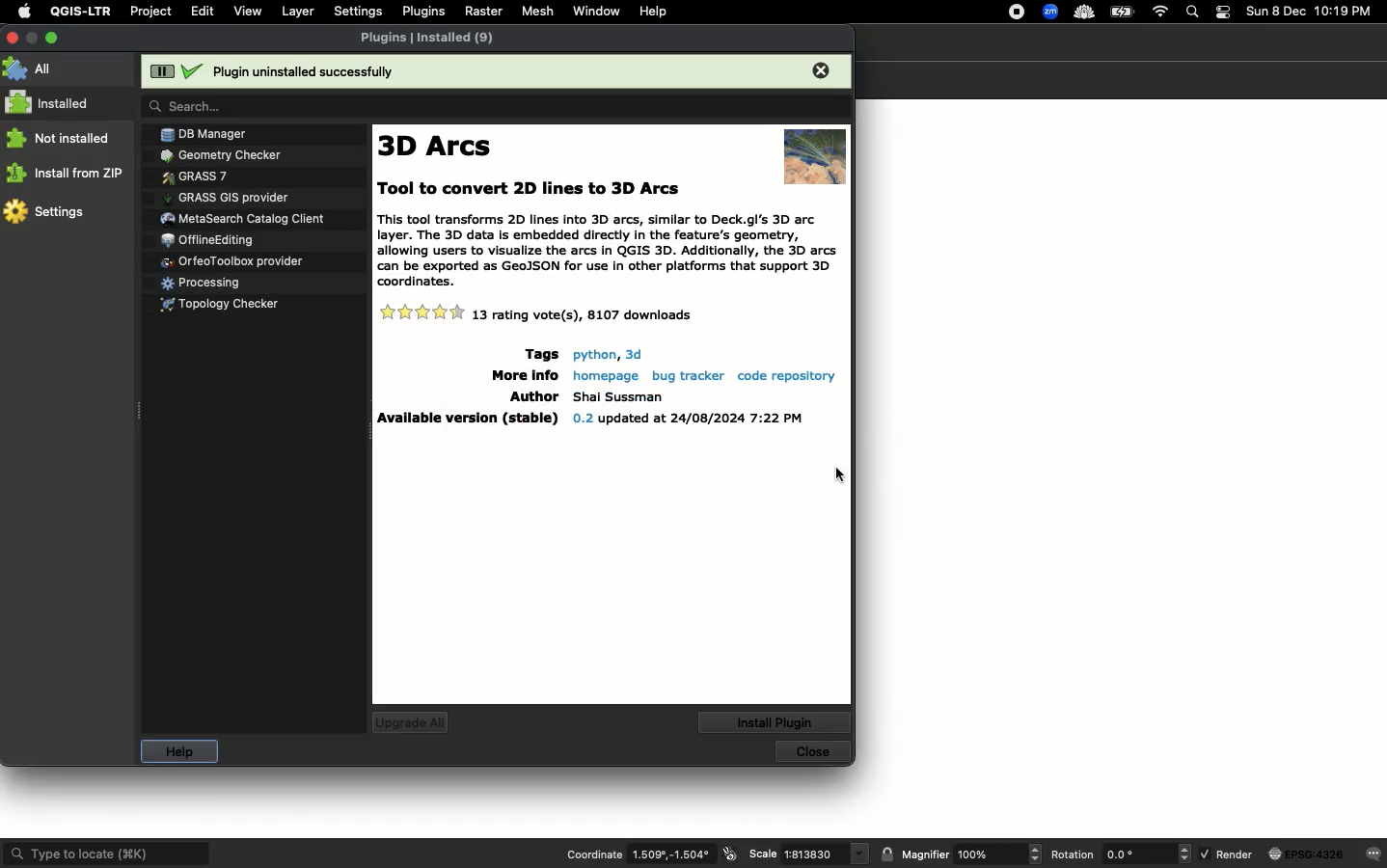 The width and height of the screenshot is (1387, 868). What do you see at coordinates (961, 854) in the screenshot?
I see `Magnifier` at bounding box center [961, 854].